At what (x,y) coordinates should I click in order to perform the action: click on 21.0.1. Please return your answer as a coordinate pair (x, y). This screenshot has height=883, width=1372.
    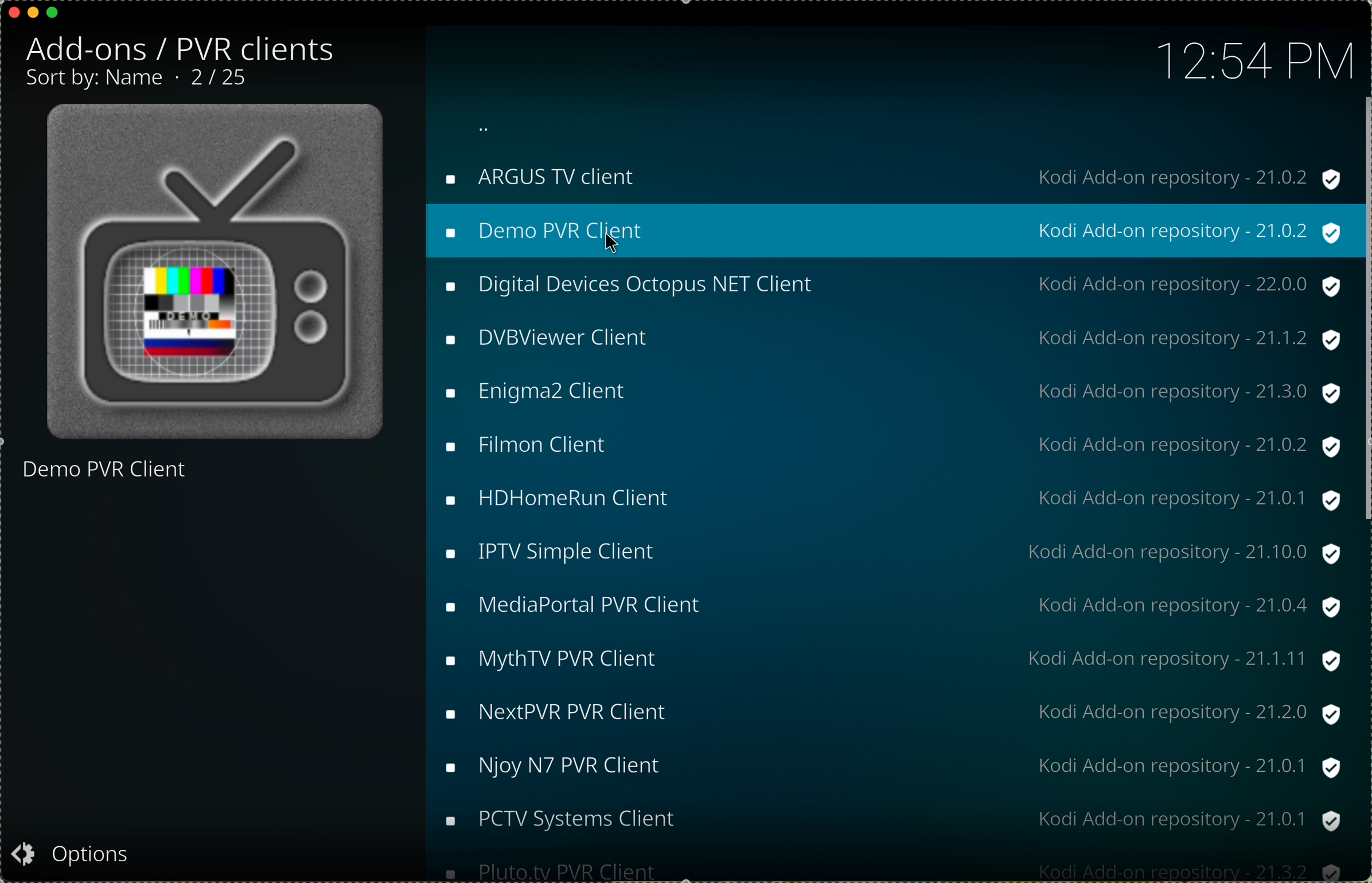
    Looking at the image, I should click on (1280, 498).